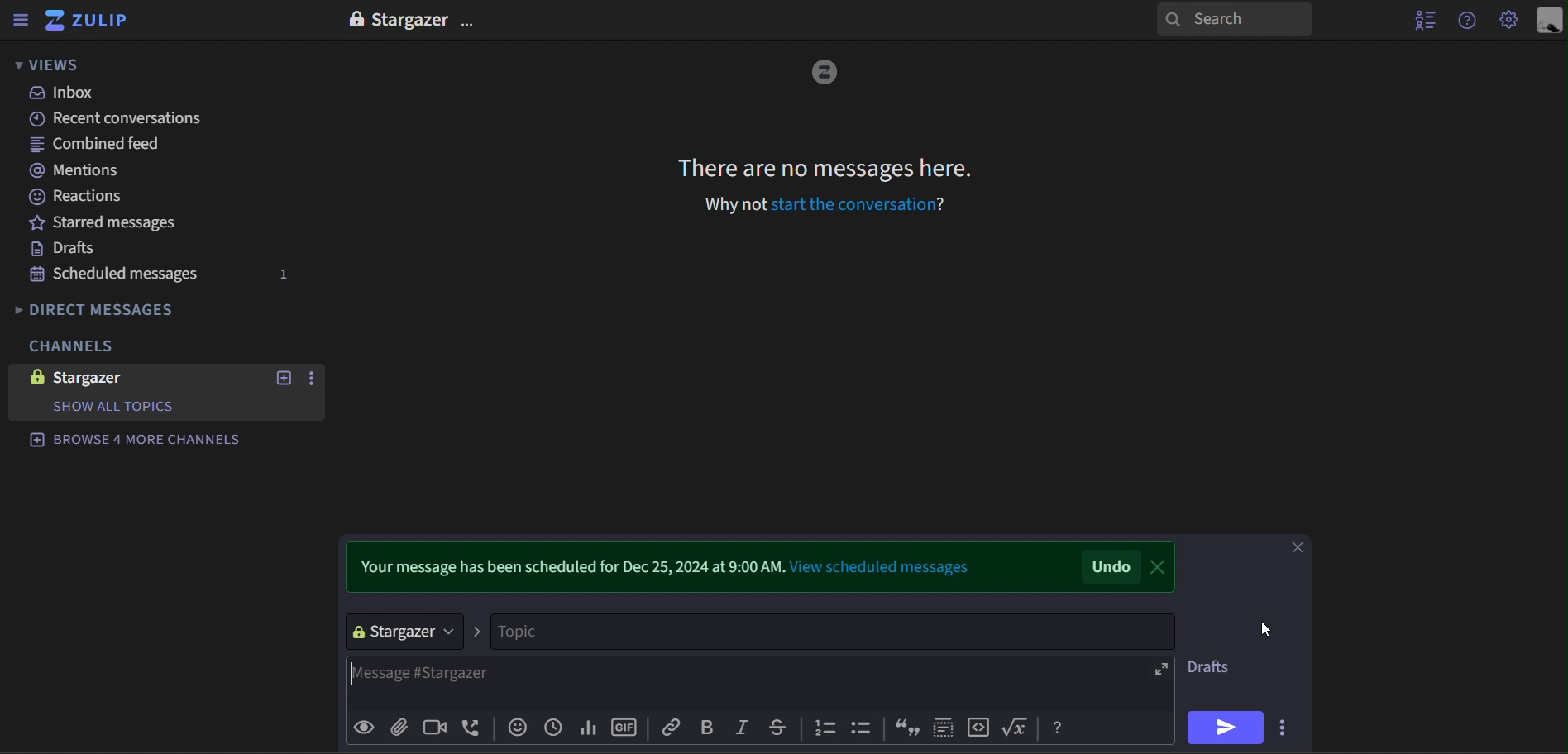  I want to click on channels, so click(100, 346).